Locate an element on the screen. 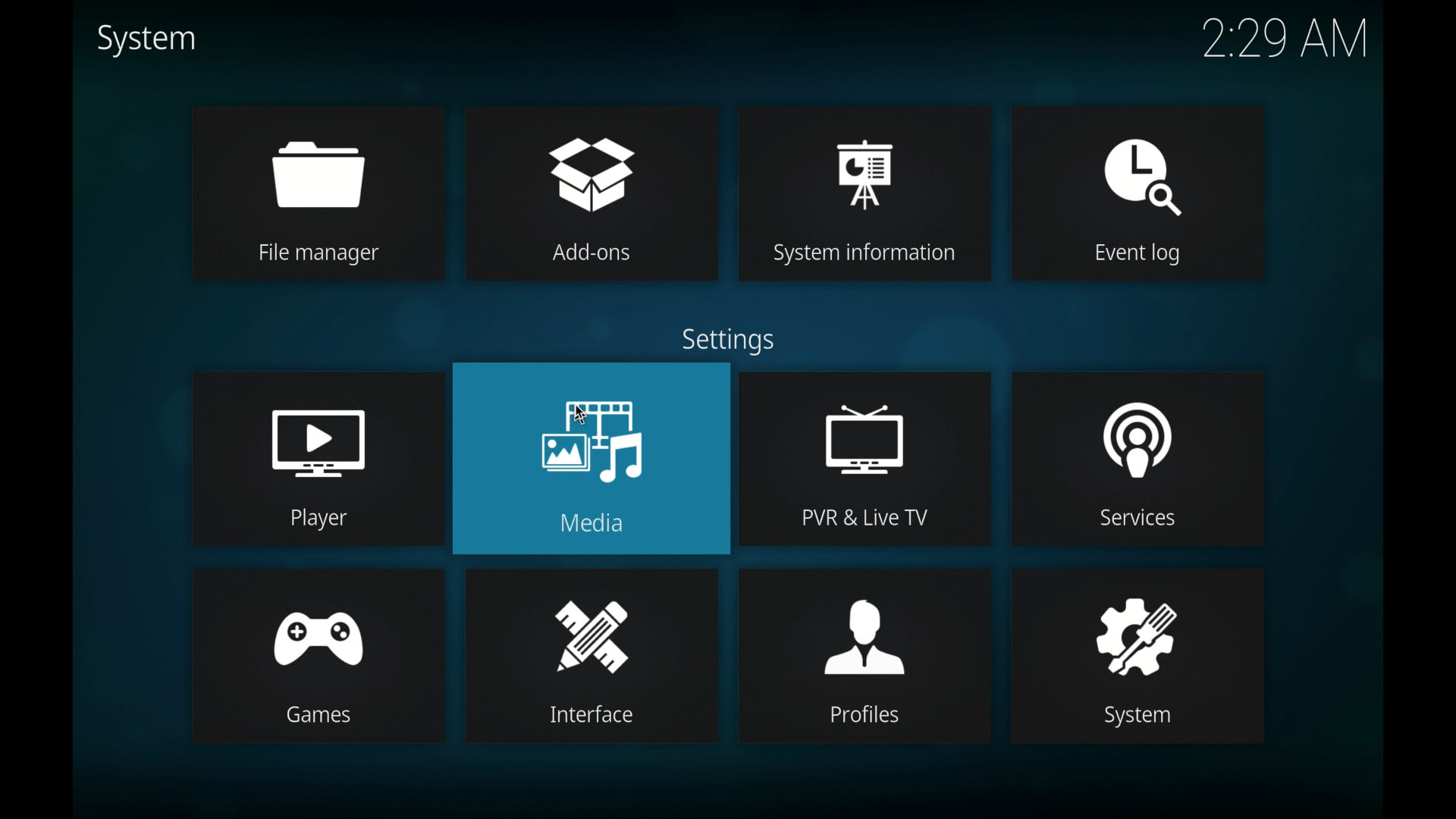  player is located at coordinates (317, 423).